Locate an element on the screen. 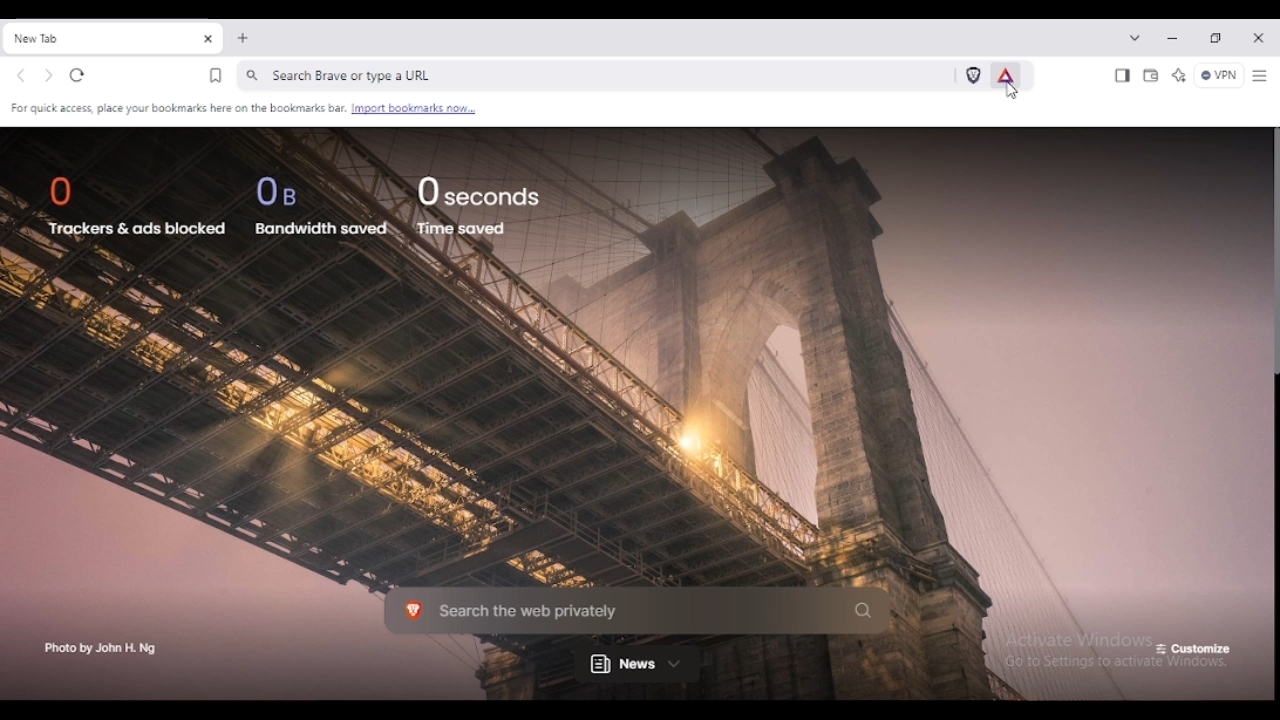  background photo is located at coordinates (622, 407).